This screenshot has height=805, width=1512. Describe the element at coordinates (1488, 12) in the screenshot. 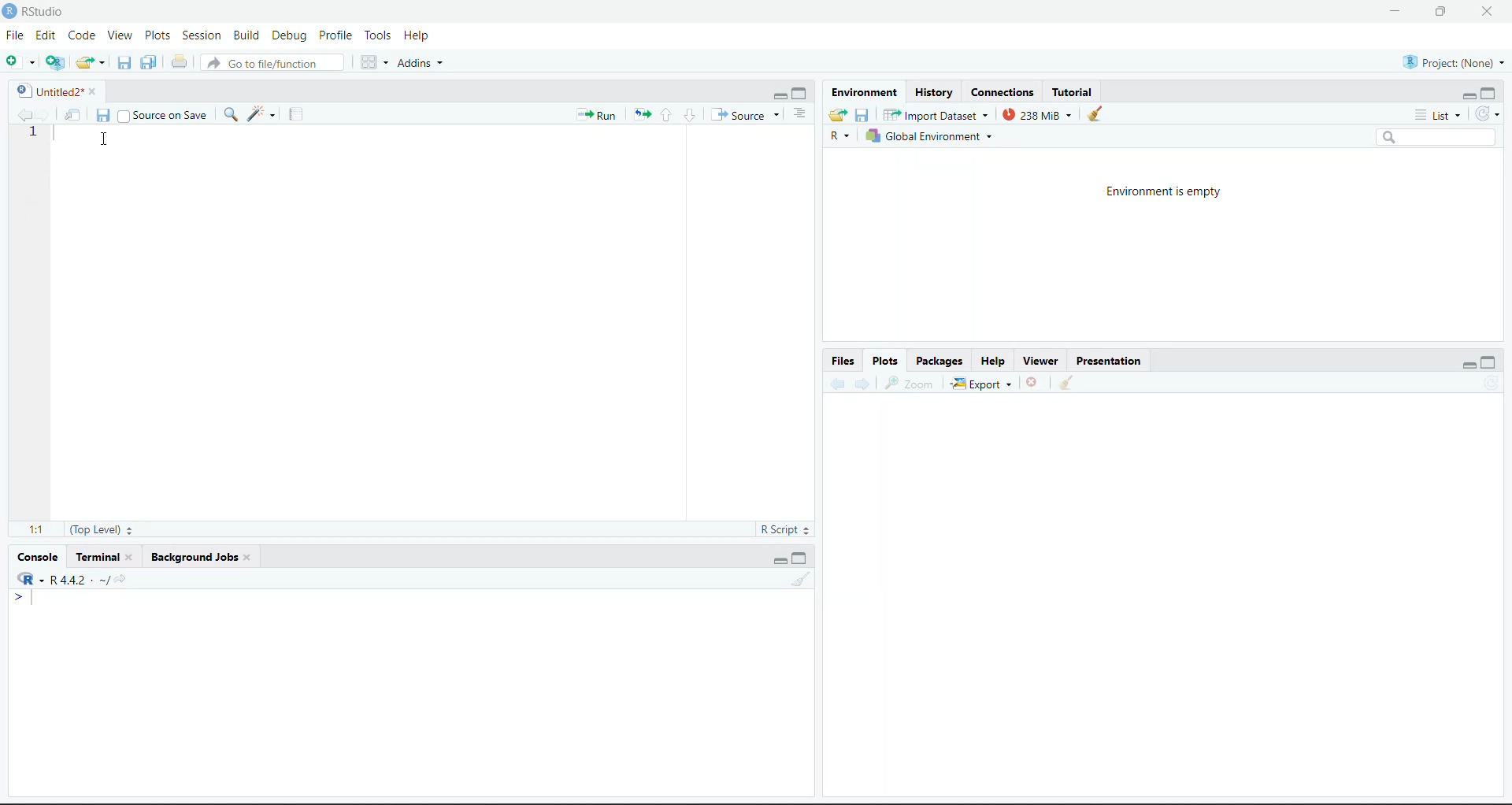

I see `close` at that location.